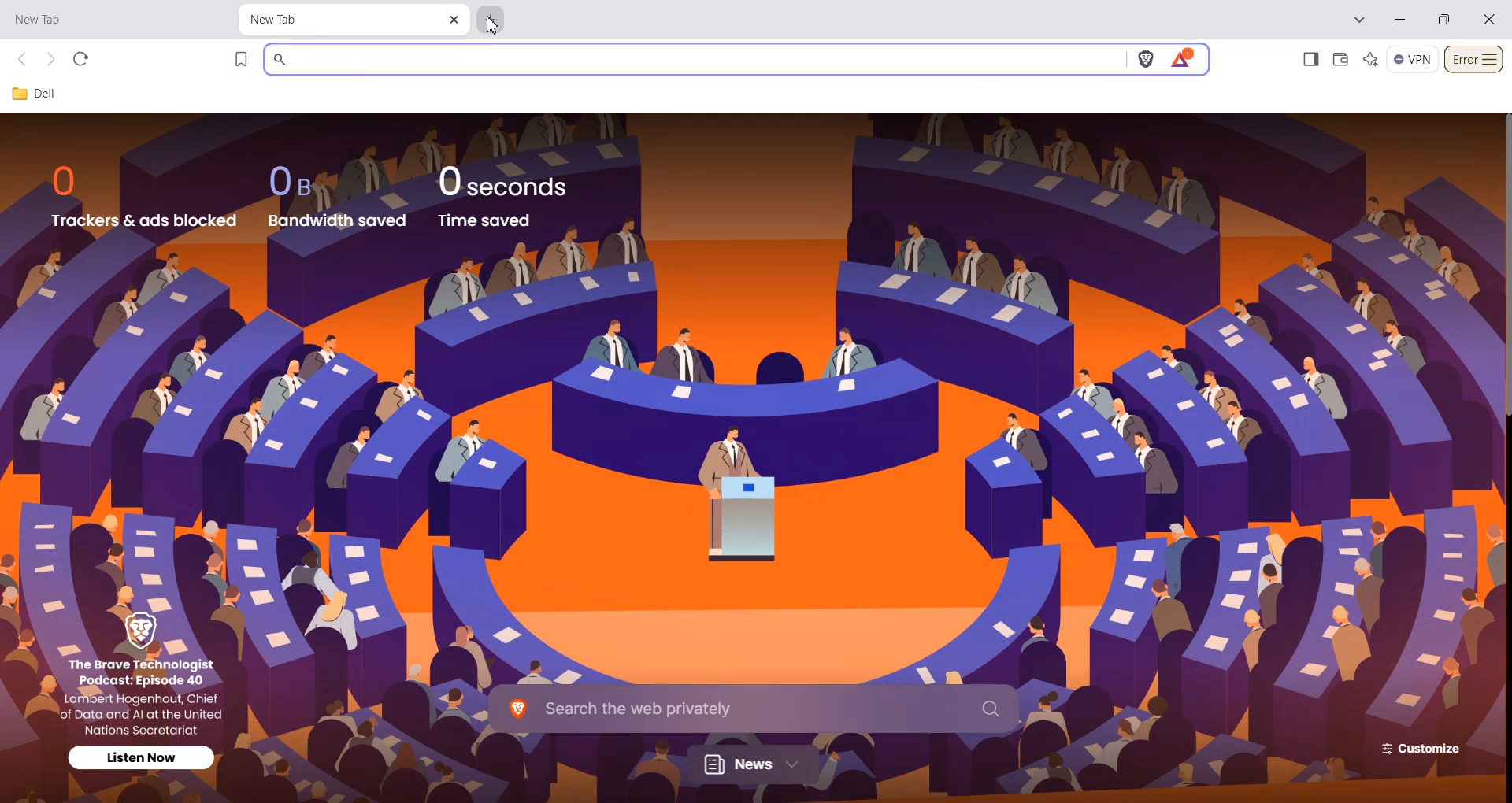  What do you see at coordinates (1361, 20) in the screenshot?
I see `Search tabs` at bounding box center [1361, 20].